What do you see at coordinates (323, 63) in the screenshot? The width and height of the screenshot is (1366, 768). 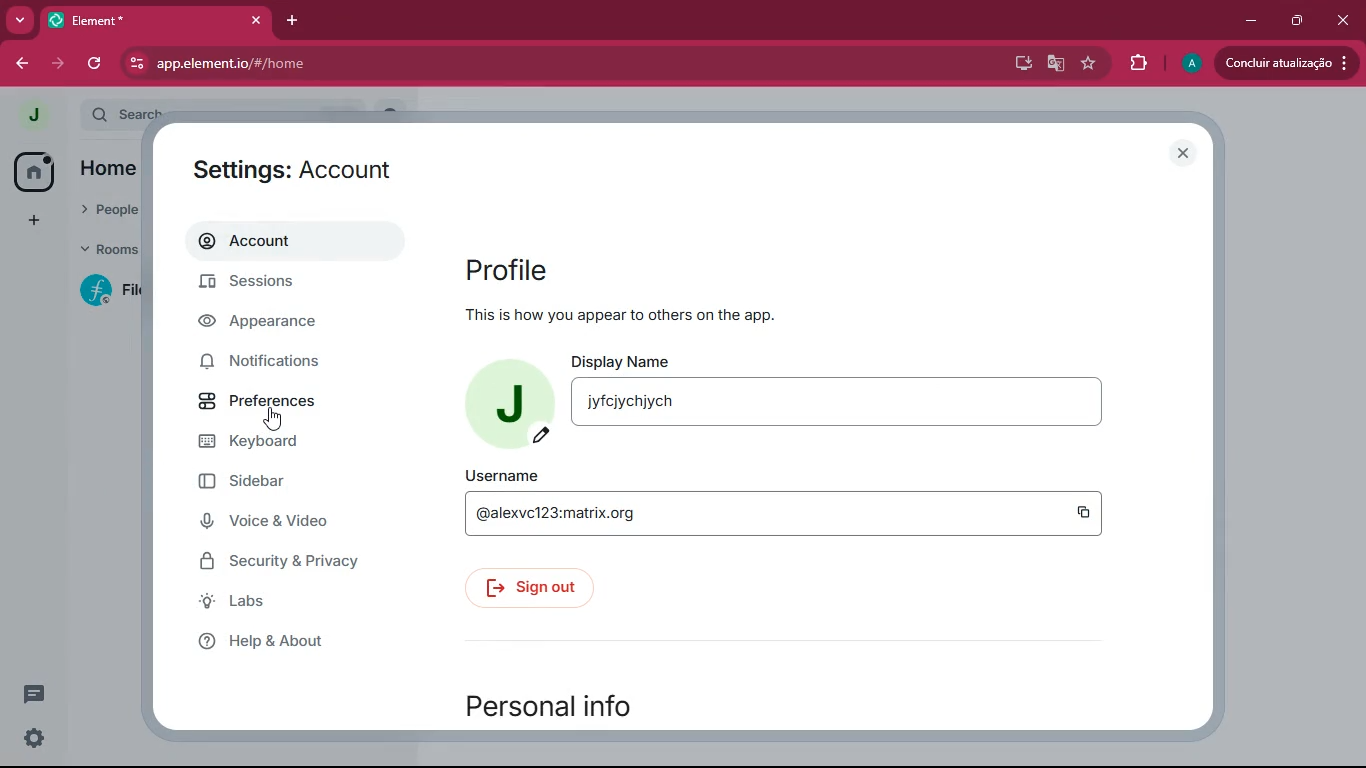 I see `app.element.io/#/home` at bounding box center [323, 63].